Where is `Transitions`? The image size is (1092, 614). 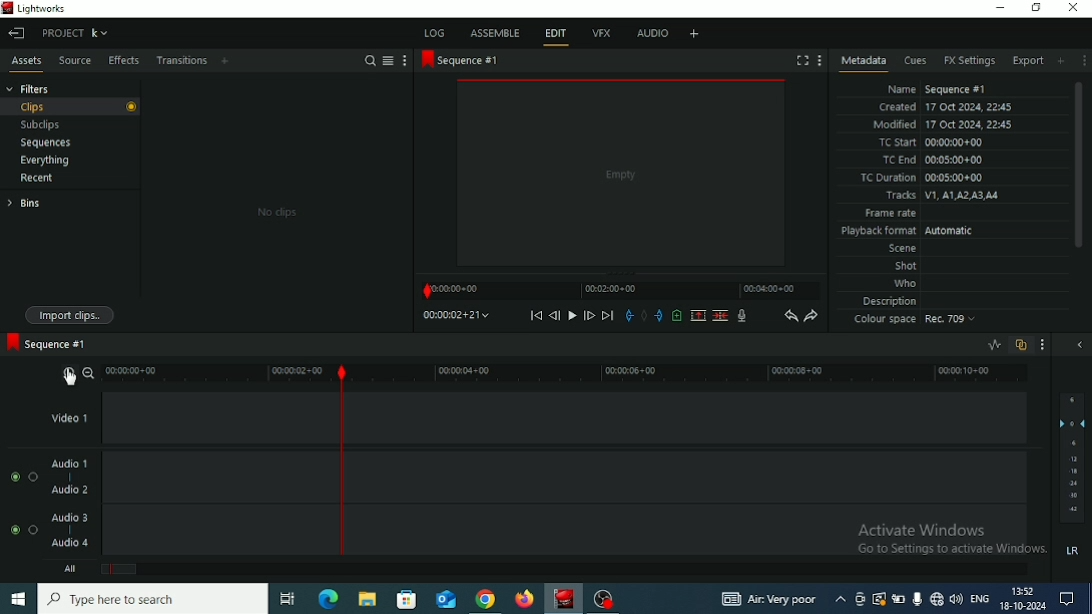 Transitions is located at coordinates (181, 61).